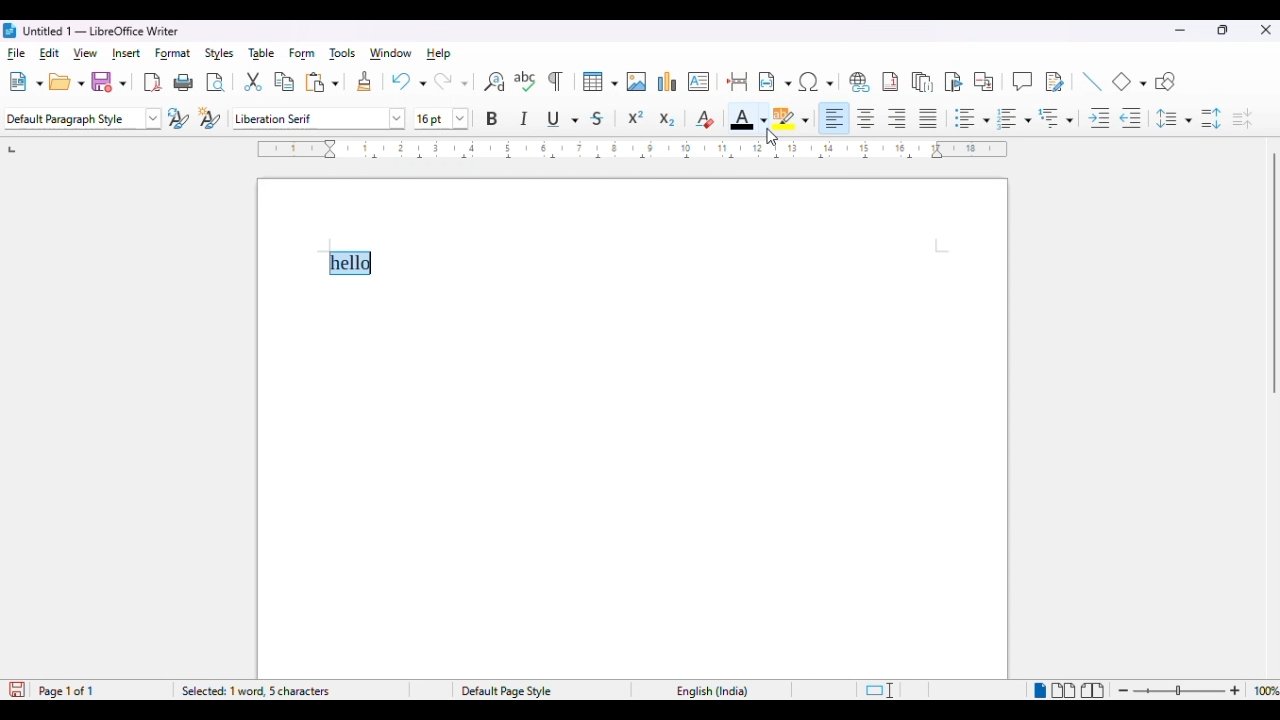  Describe the element at coordinates (172, 54) in the screenshot. I see `format` at that location.